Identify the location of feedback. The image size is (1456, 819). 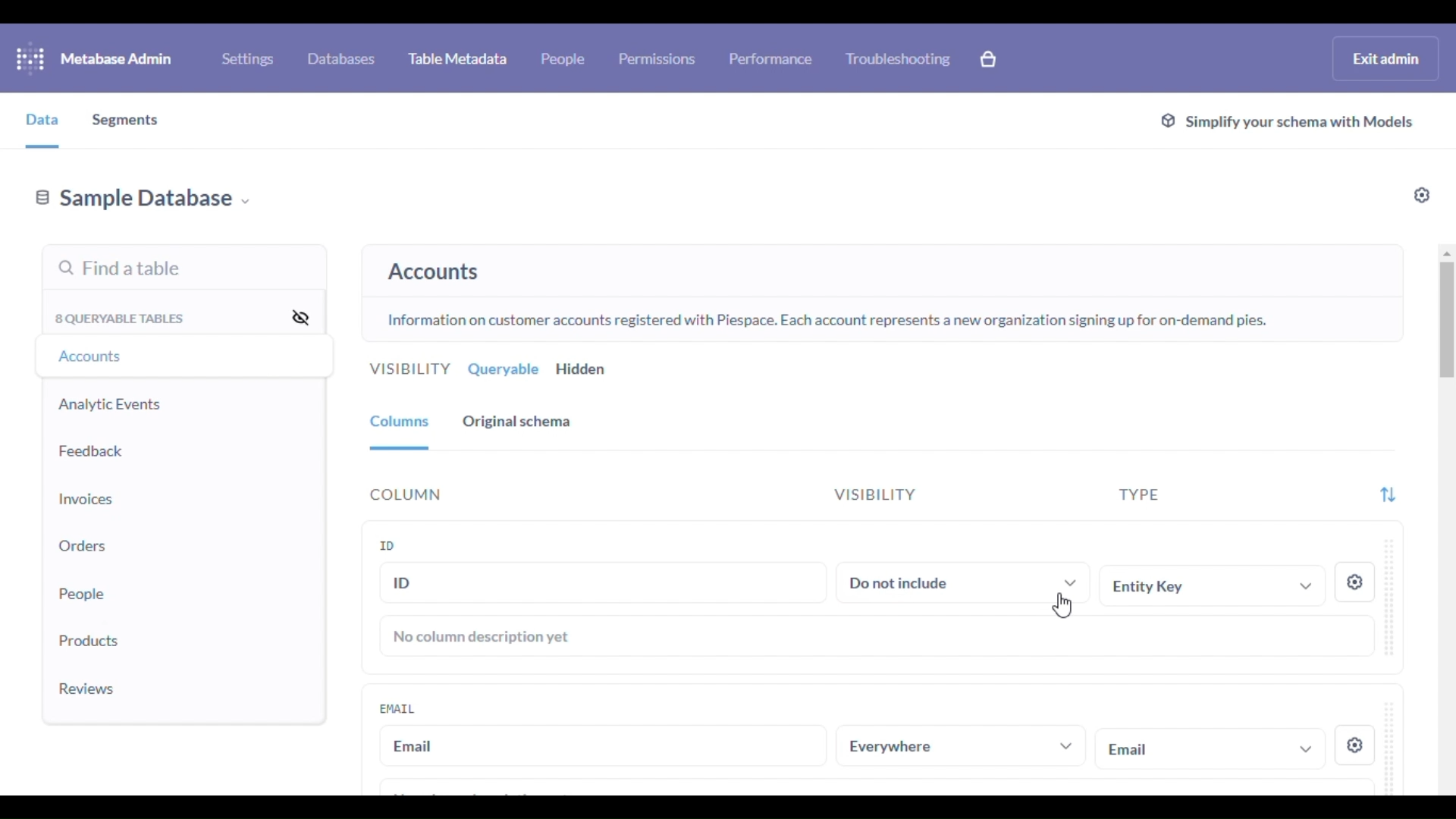
(92, 451).